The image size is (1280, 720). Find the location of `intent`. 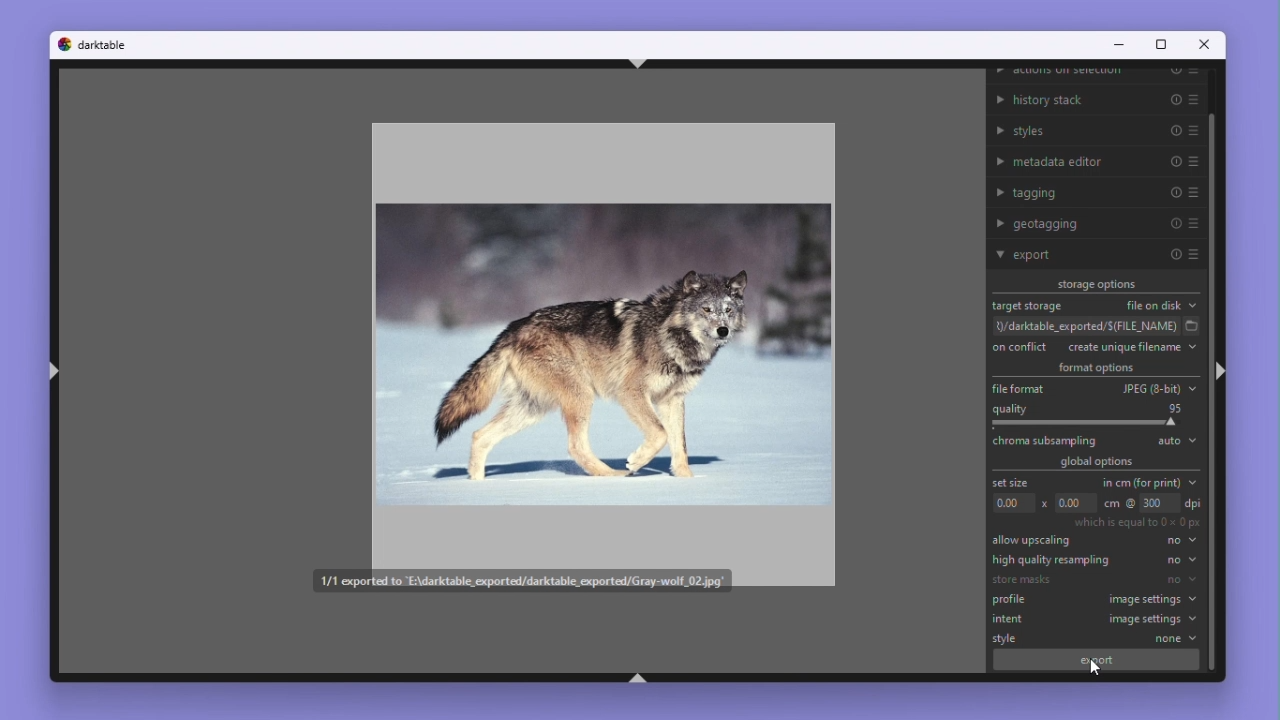

intent is located at coordinates (1007, 618).